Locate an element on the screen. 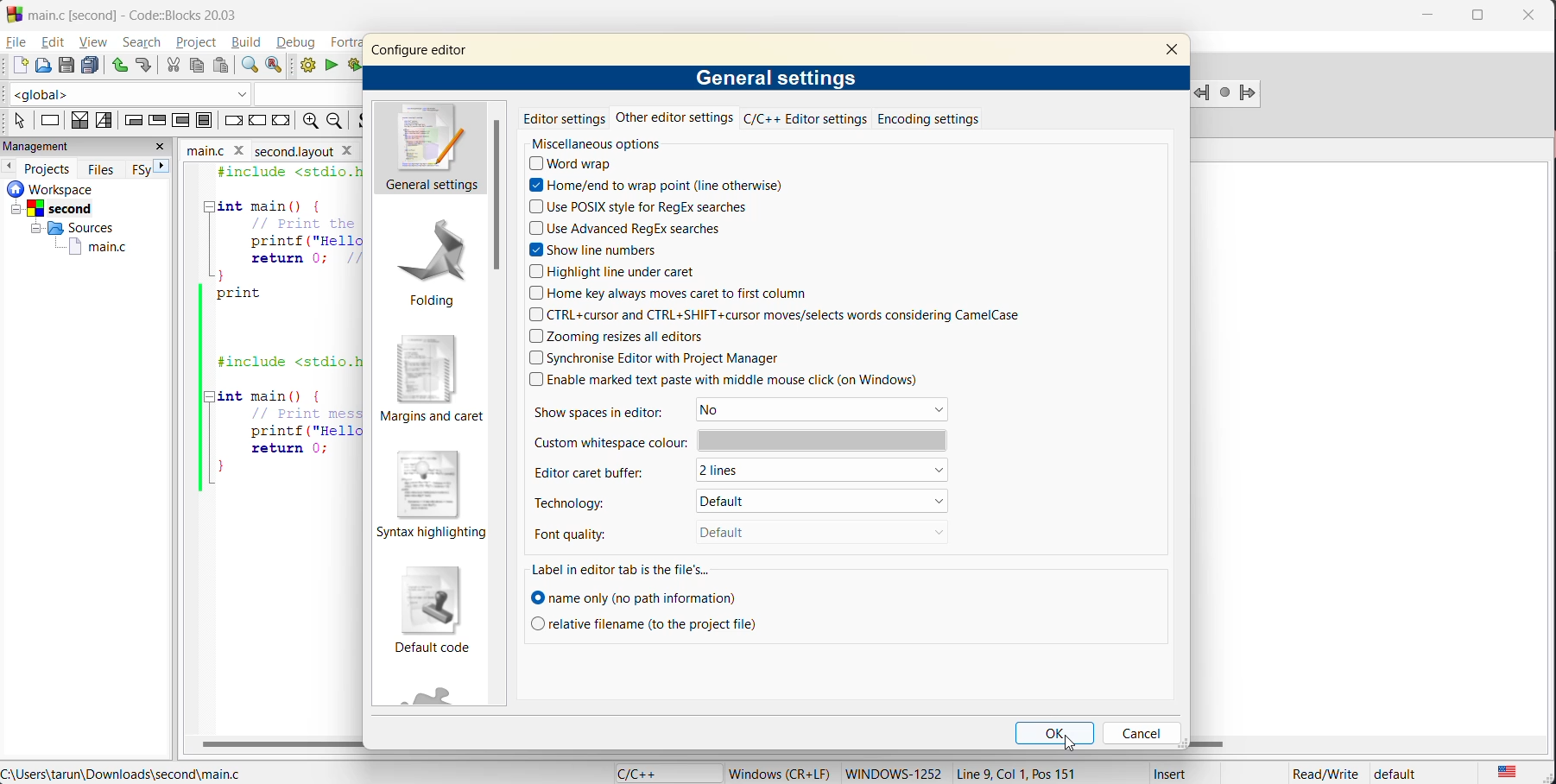  general settings is located at coordinates (428, 152).